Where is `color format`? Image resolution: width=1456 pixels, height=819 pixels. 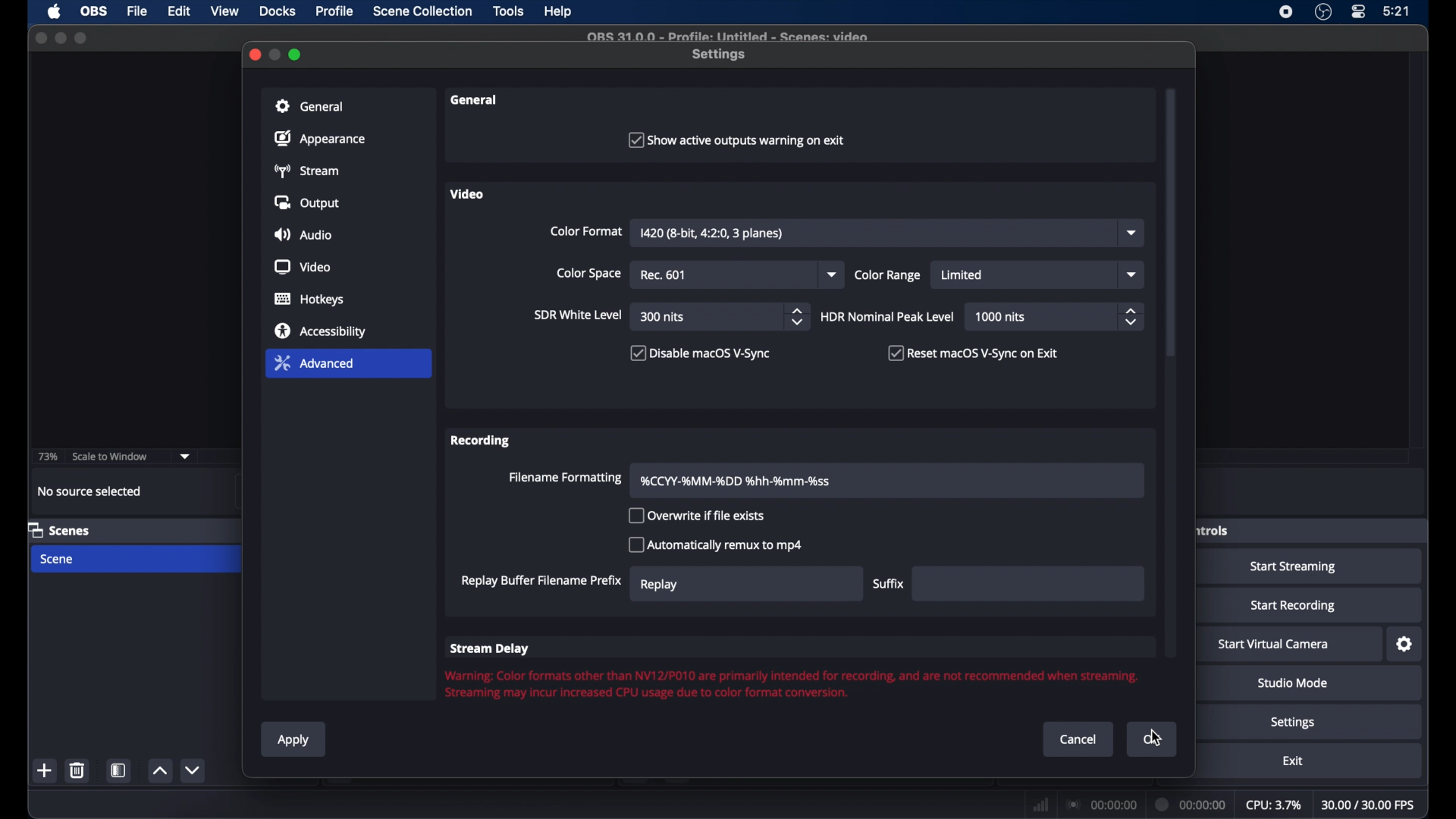 color format is located at coordinates (586, 231).